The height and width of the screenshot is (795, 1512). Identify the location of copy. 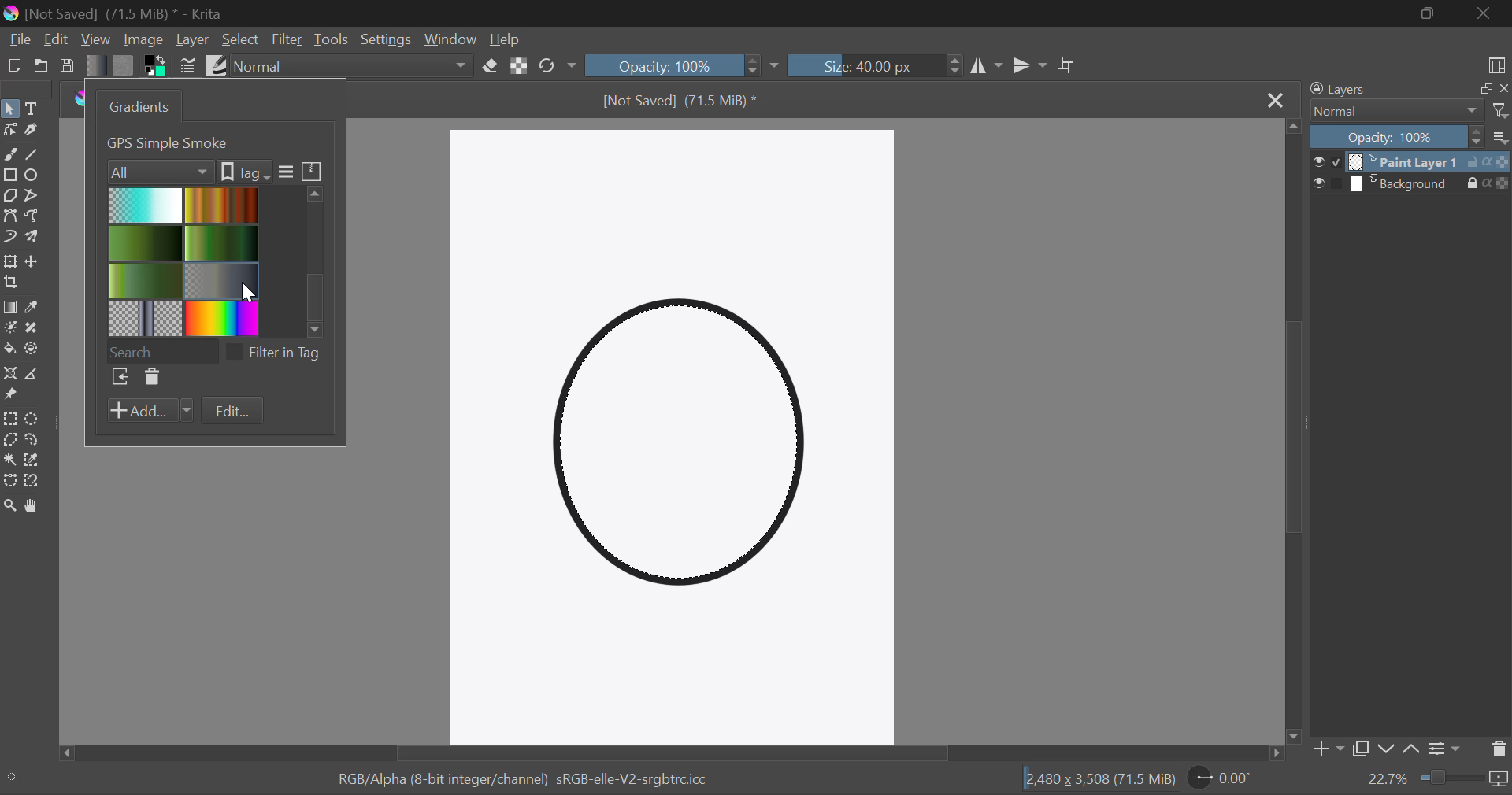
(1485, 87).